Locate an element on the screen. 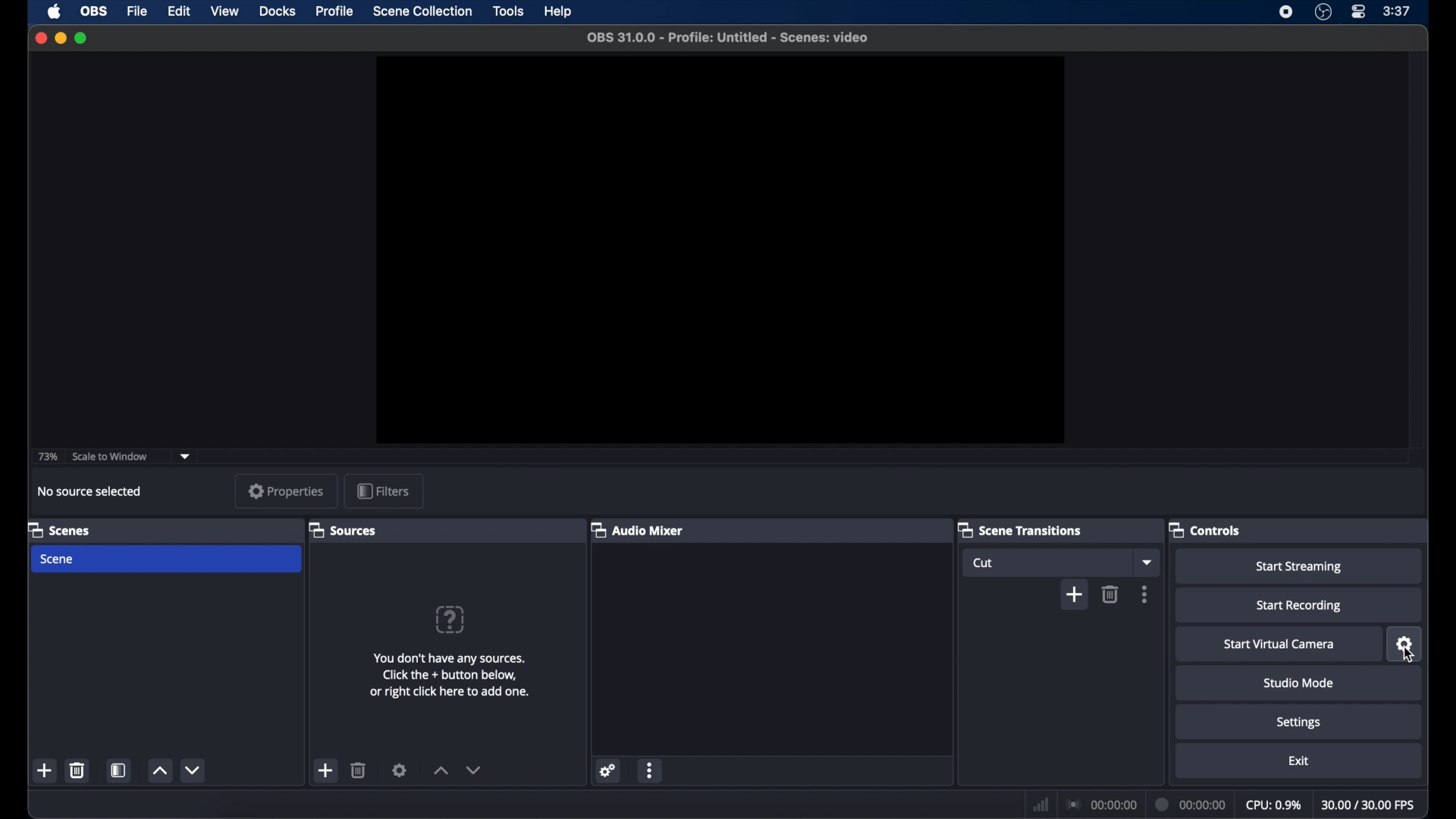 This screenshot has width=1456, height=819. delete is located at coordinates (77, 770).